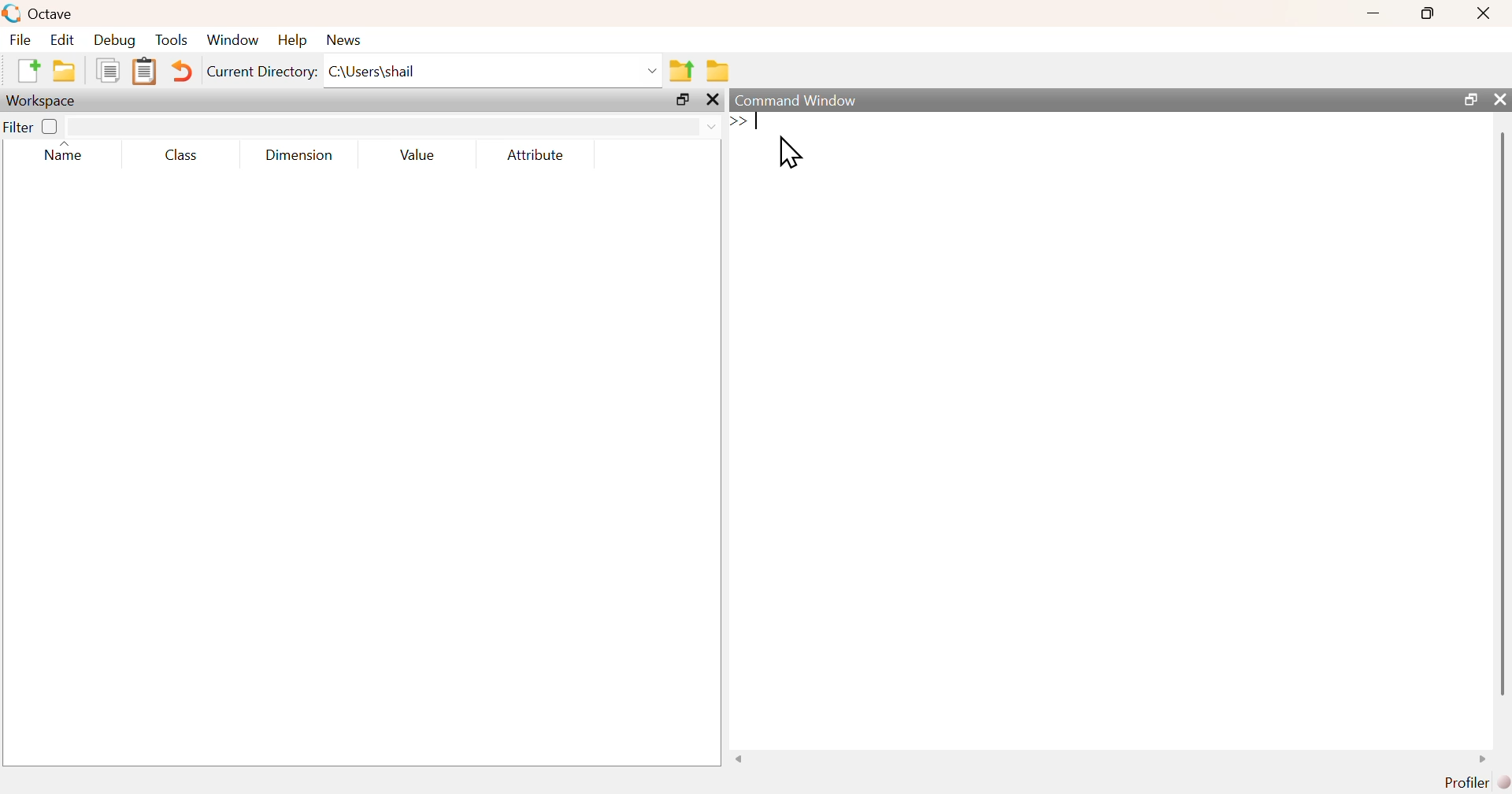 The image size is (1512, 794). I want to click on Debug, so click(115, 39).